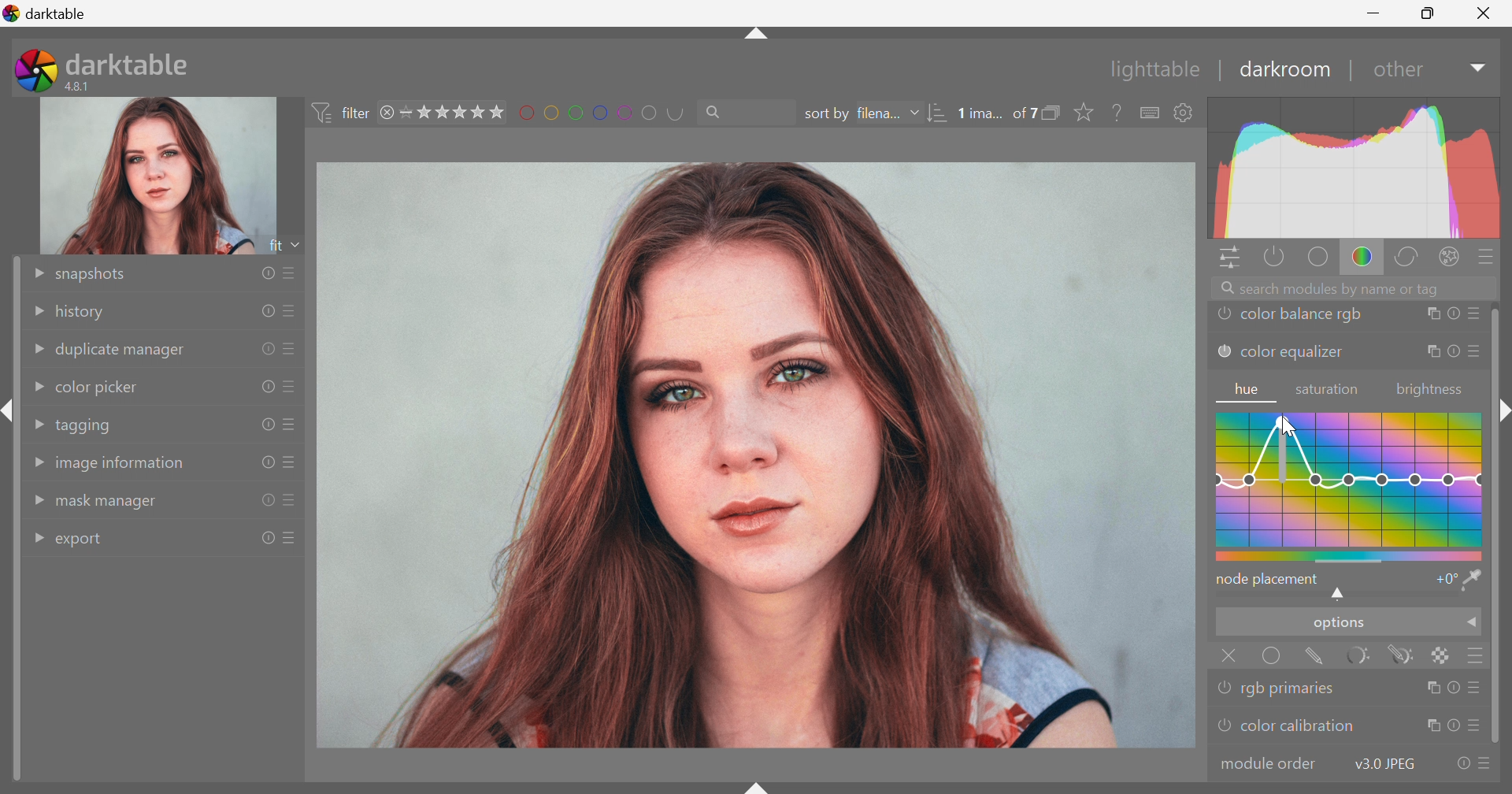  What do you see at coordinates (1357, 288) in the screenshot?
I see `Search modules by name or tags` at bounding box center [1357, 288].